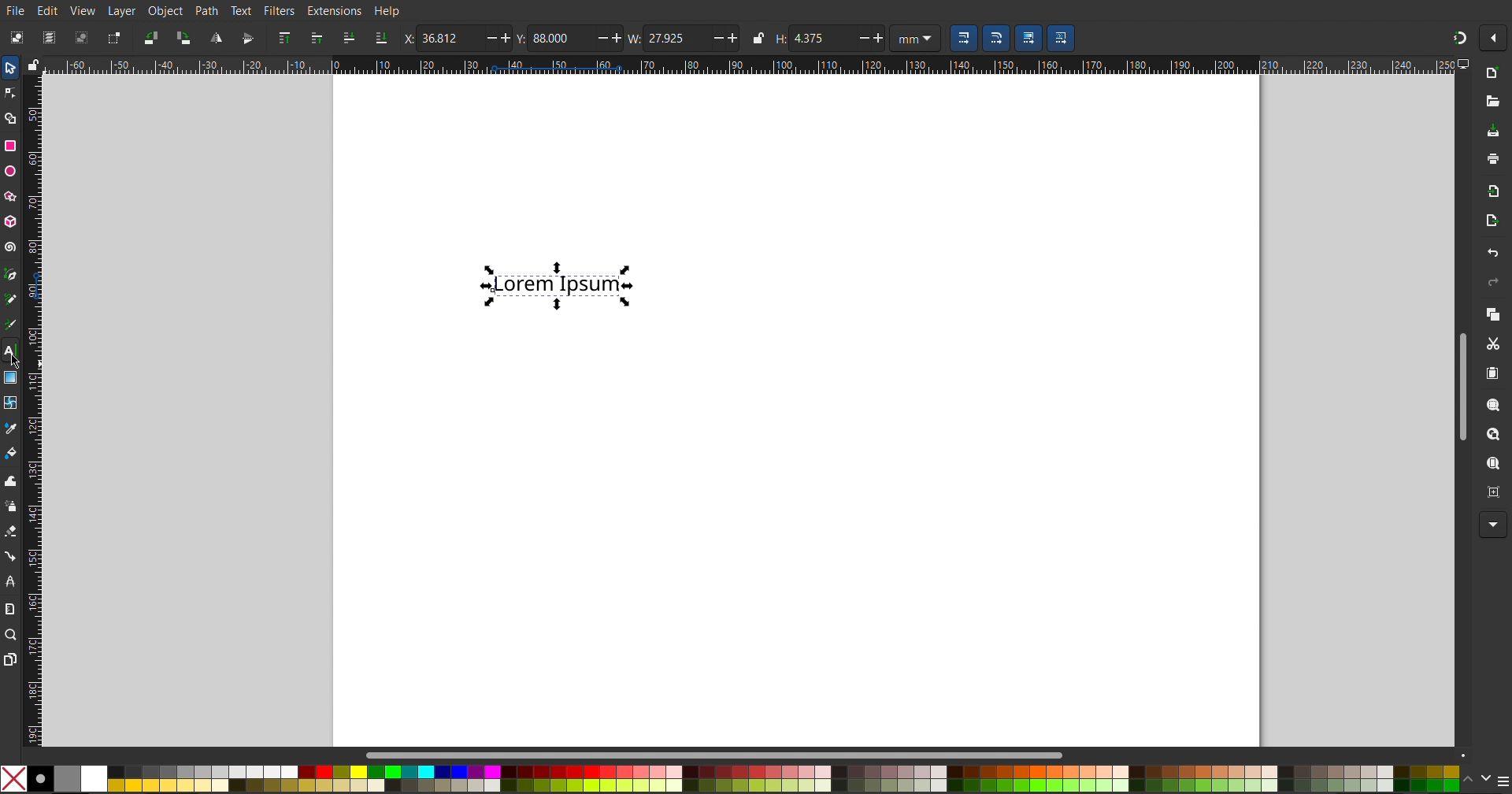  Describe the element at coordinates (216, 38) in the screenshot. I see `Flip Horizontal ` at that location.